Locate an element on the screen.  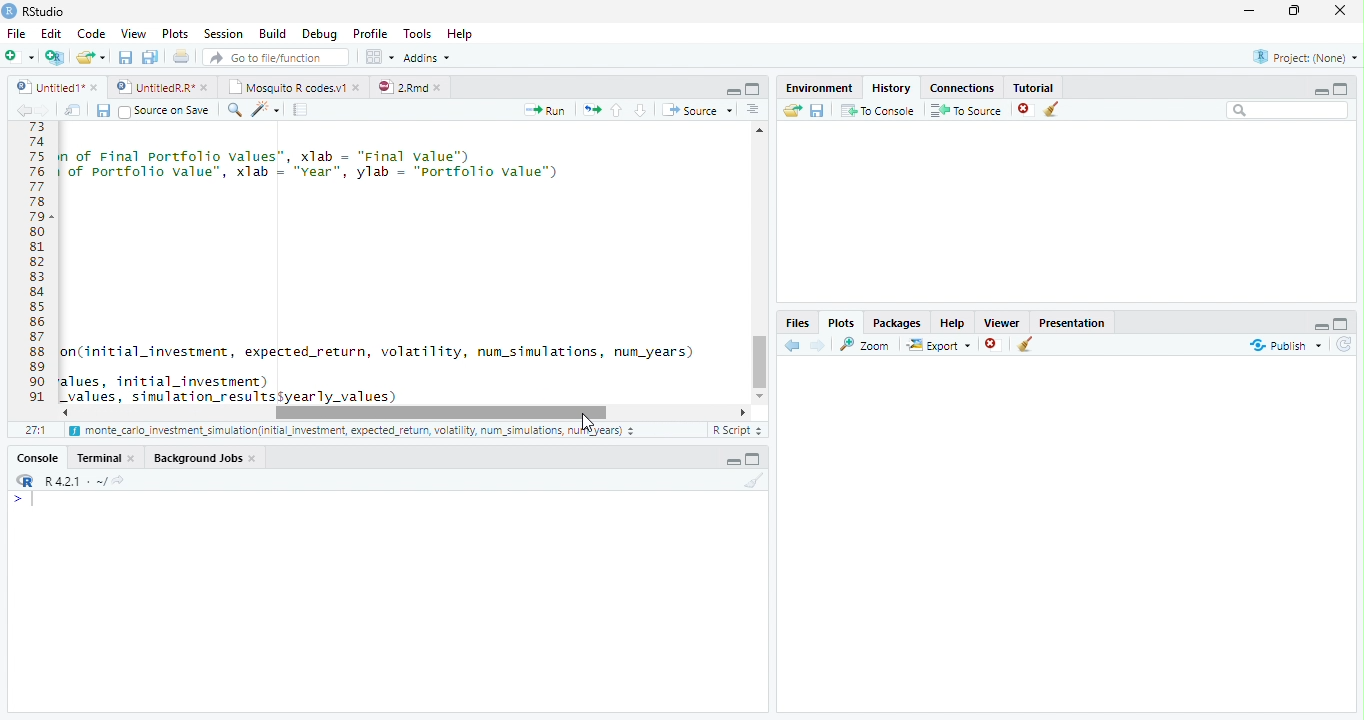
View is located at coordinates (132, 32).